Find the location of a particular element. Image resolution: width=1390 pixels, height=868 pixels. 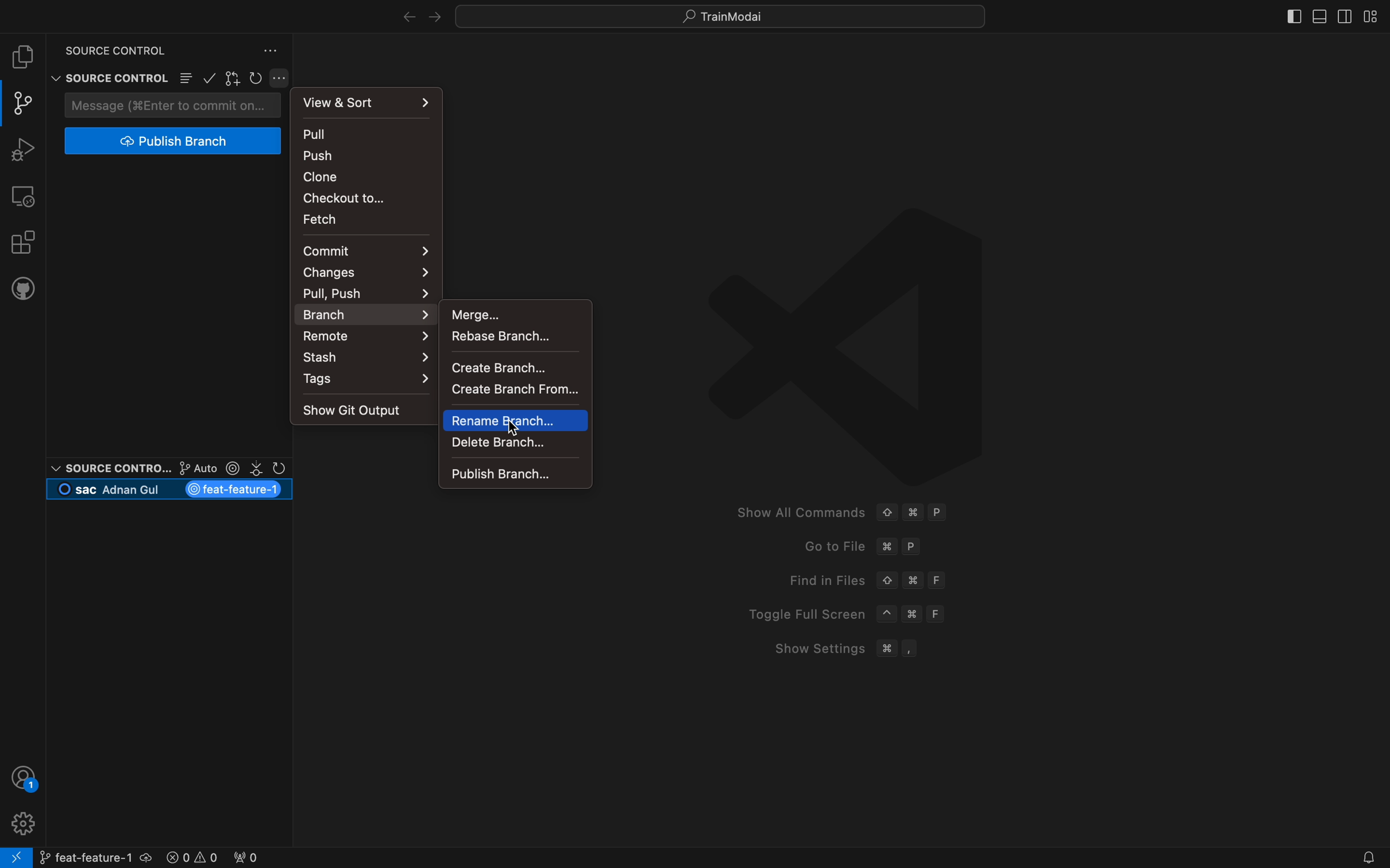

^ is located at coordinates (887, 614).